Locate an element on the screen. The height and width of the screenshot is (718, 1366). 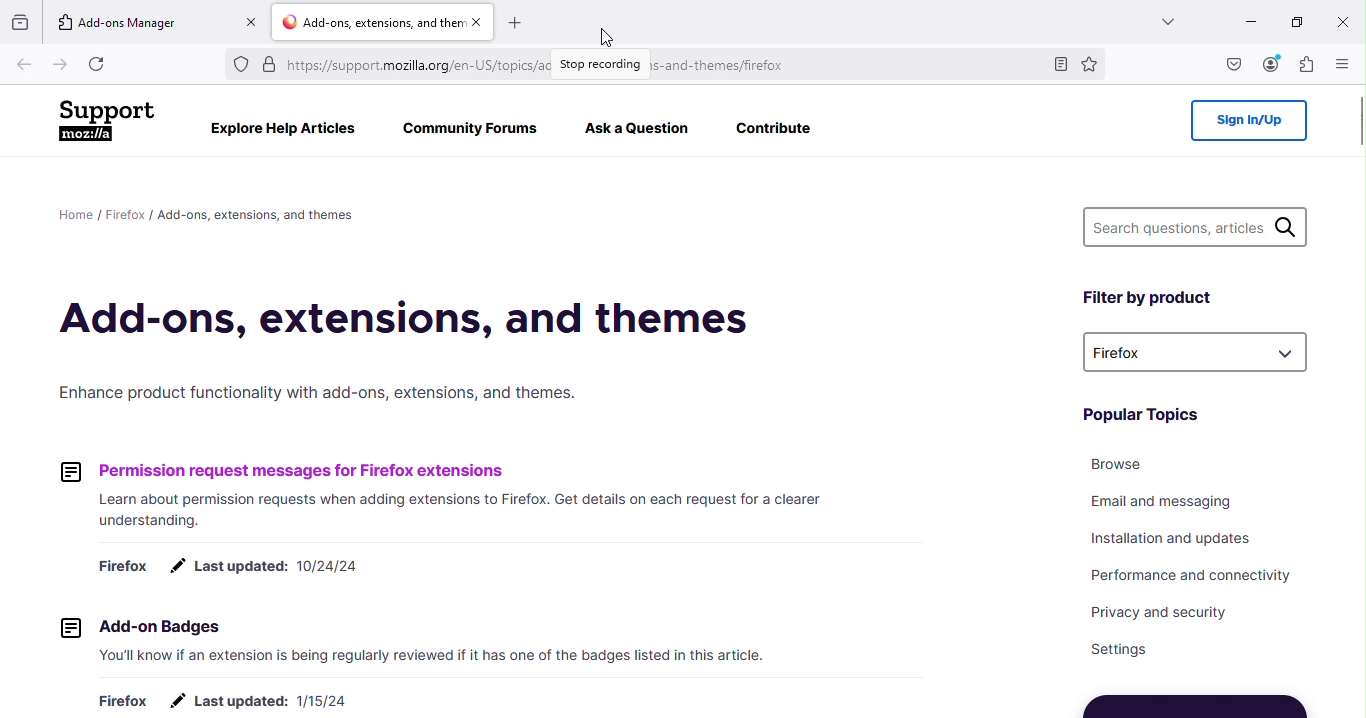
Toggle reader view is located at coordinates (1060, 63).